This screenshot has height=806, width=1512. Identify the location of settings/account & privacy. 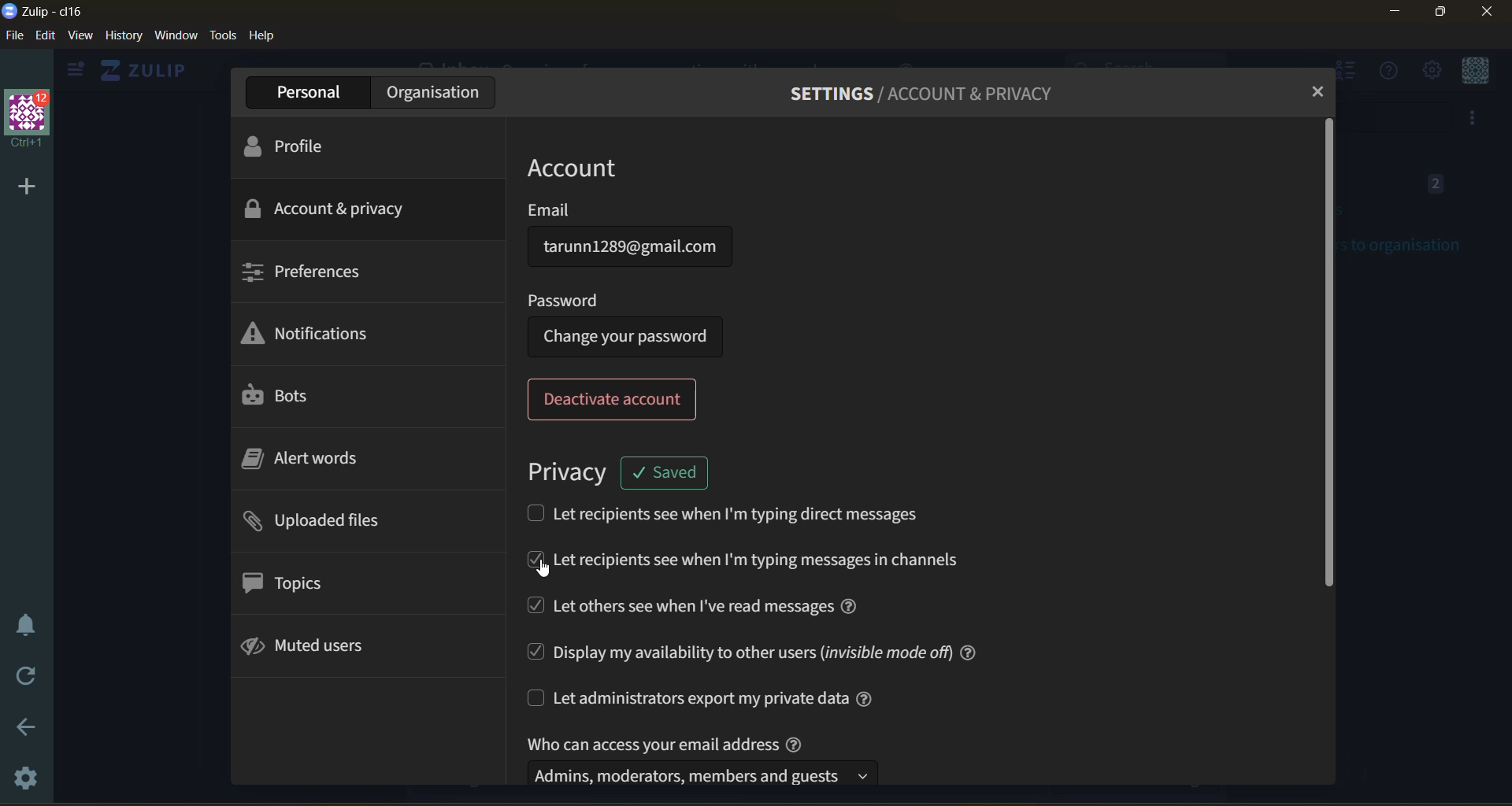
(936, 93).